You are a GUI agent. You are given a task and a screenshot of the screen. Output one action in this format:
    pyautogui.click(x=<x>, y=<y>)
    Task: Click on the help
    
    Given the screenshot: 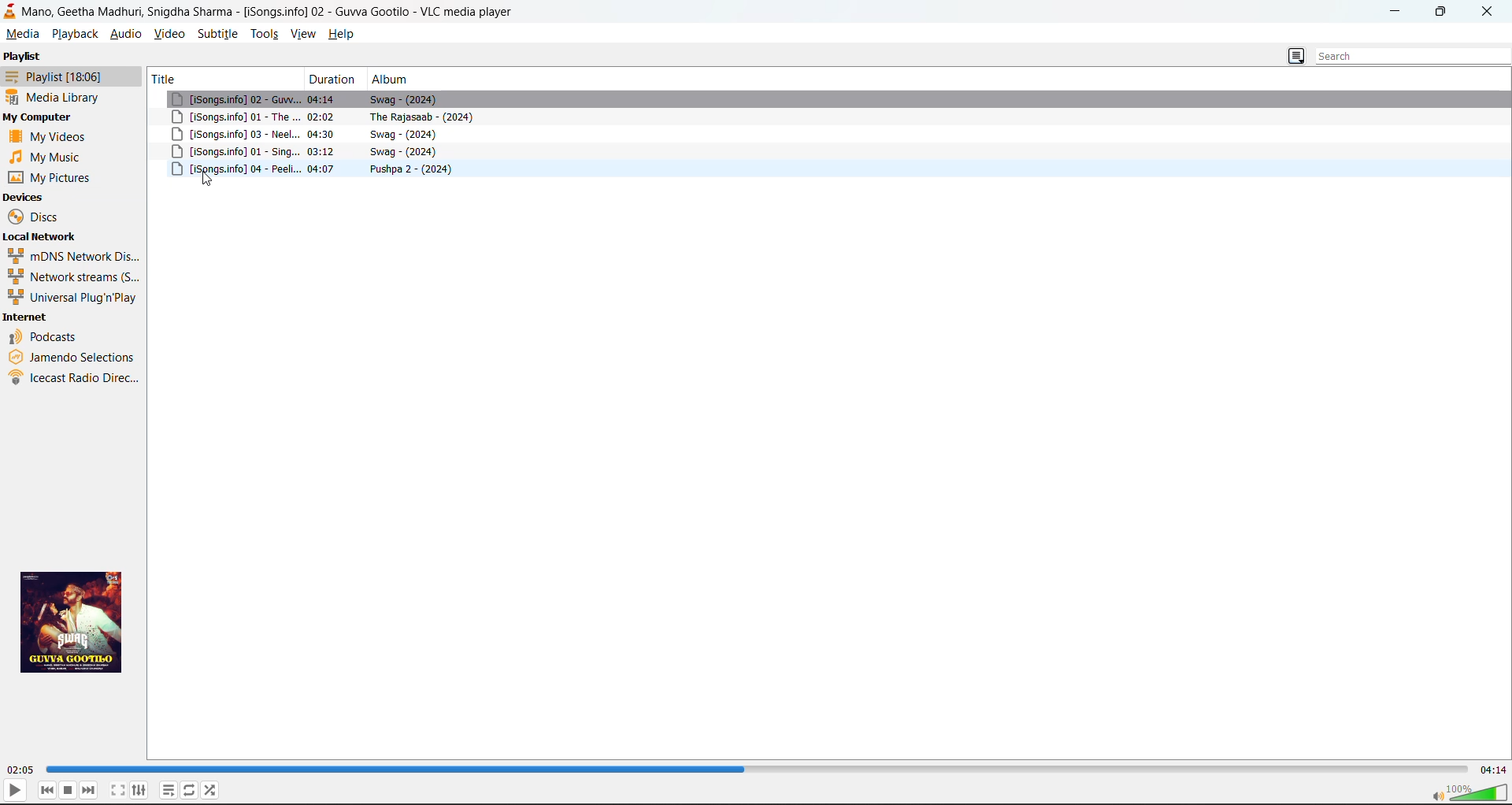 What is the action you would take?
    pyautogui.click(x=341, y=33)
    